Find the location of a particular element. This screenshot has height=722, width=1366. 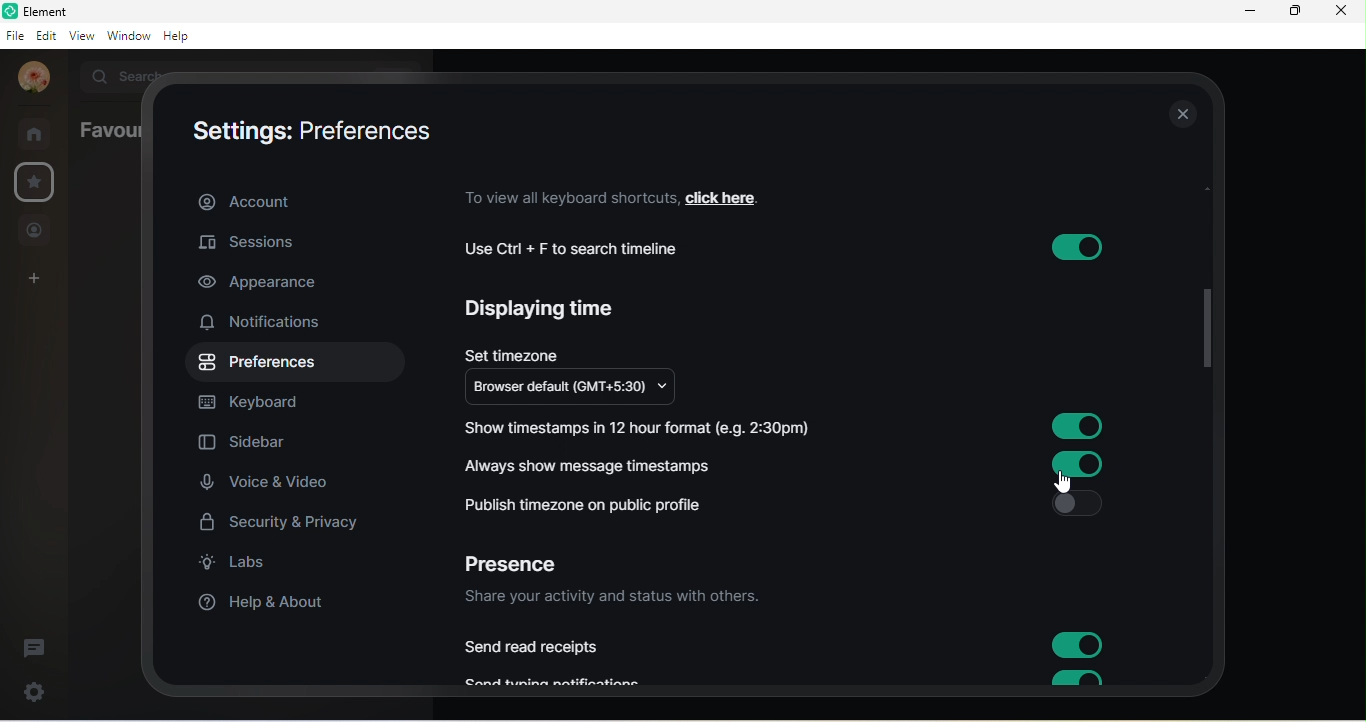

window is located at coordinates (127, 37).